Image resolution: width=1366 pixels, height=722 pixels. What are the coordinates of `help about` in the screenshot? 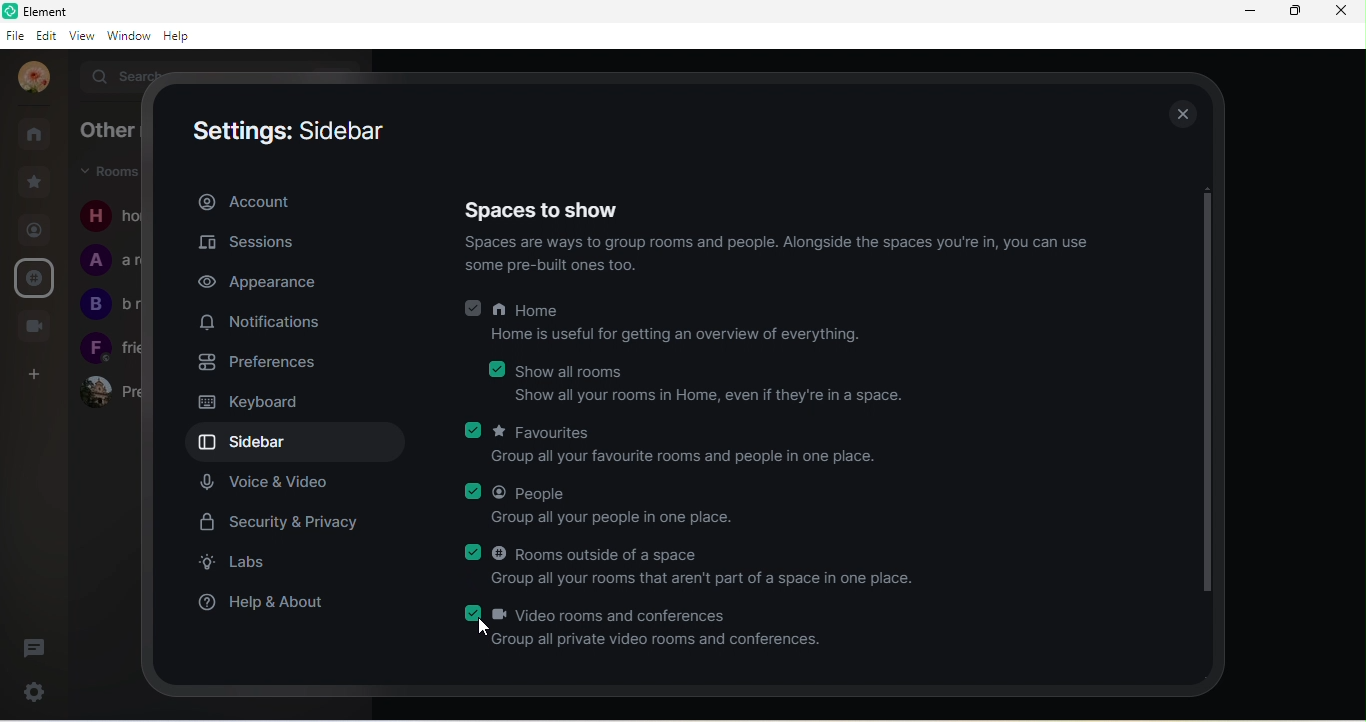 It's located at (268, 605).